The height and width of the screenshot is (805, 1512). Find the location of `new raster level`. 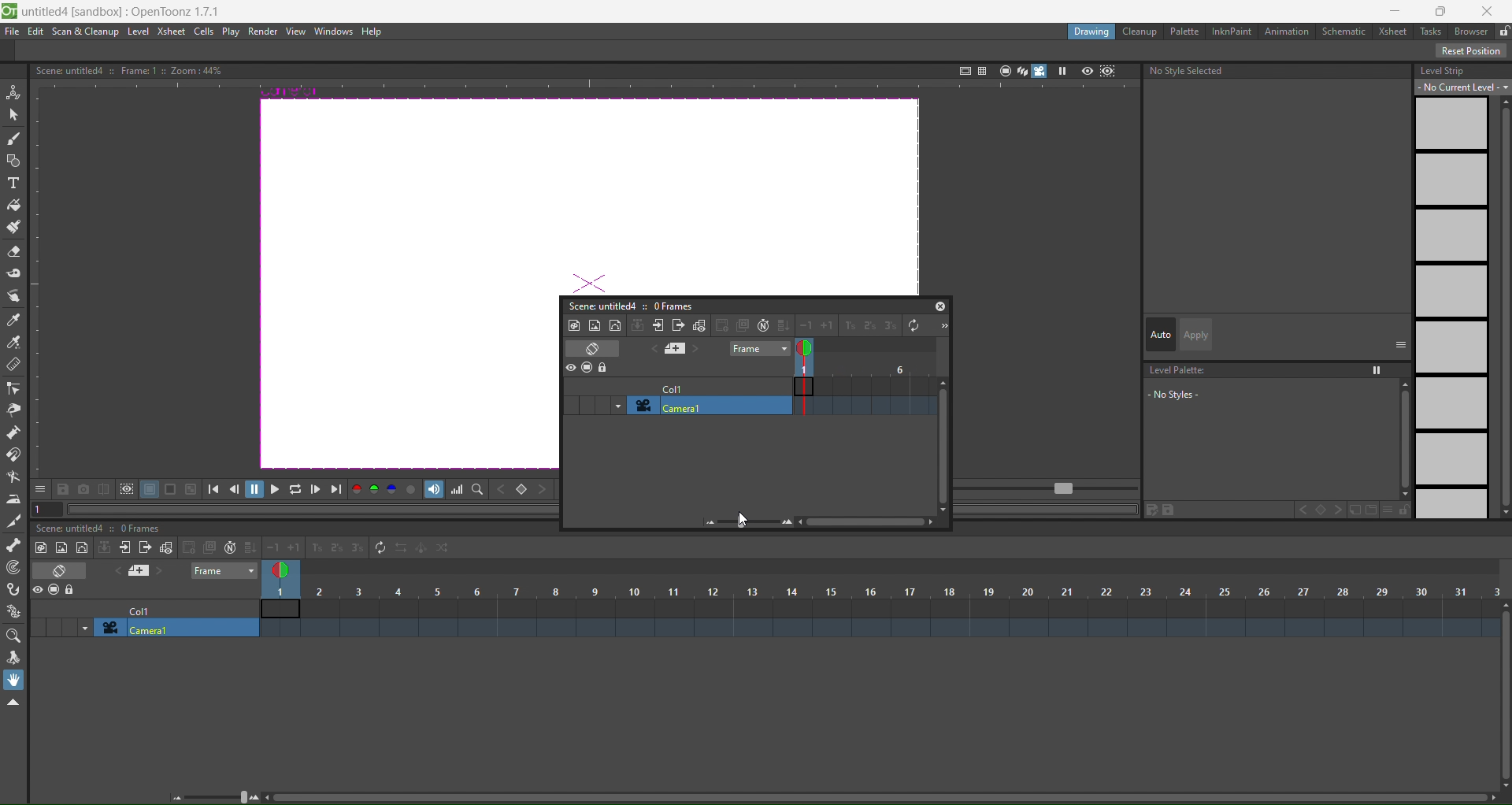

new raster level is located at coordinates (594, 324).